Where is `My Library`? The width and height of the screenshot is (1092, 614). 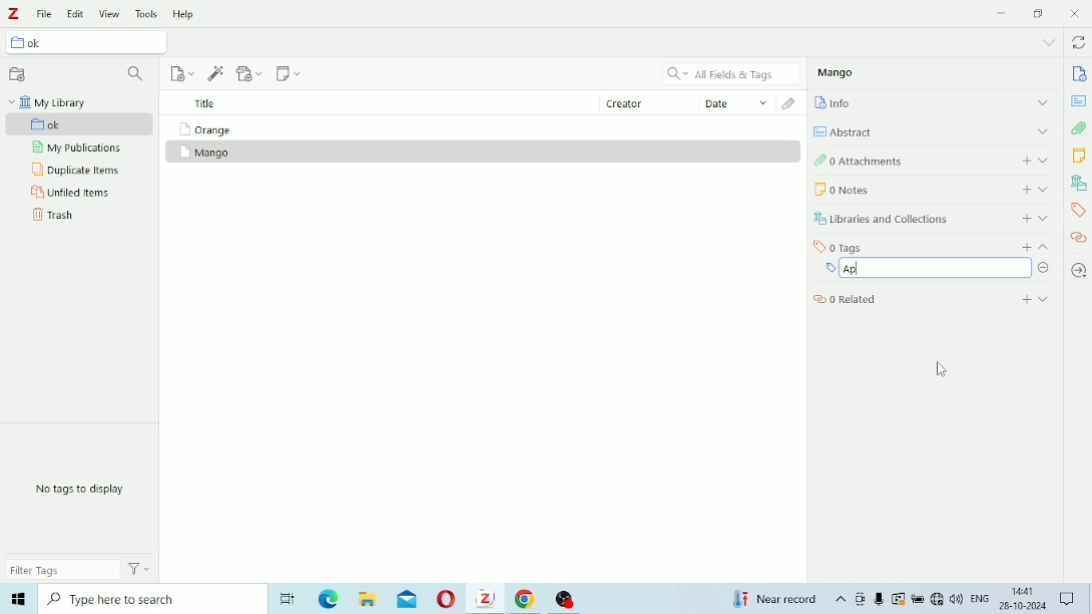
My Library is located at coordinates (49, 100).